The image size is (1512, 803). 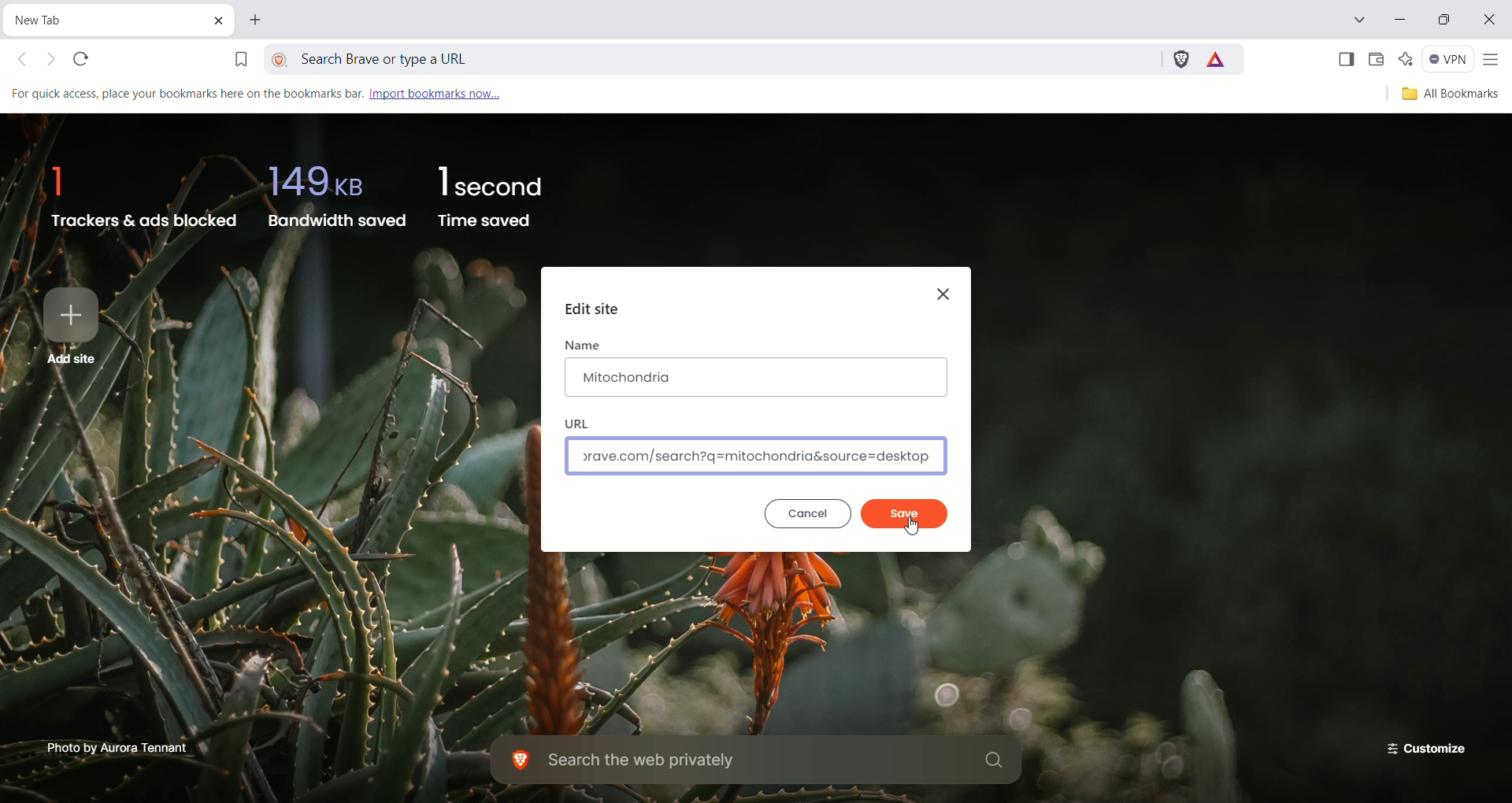 What do you see at coordinates (1403, 21) in the screenshot?
I see `minimize` at bounding box center [1403, 21].